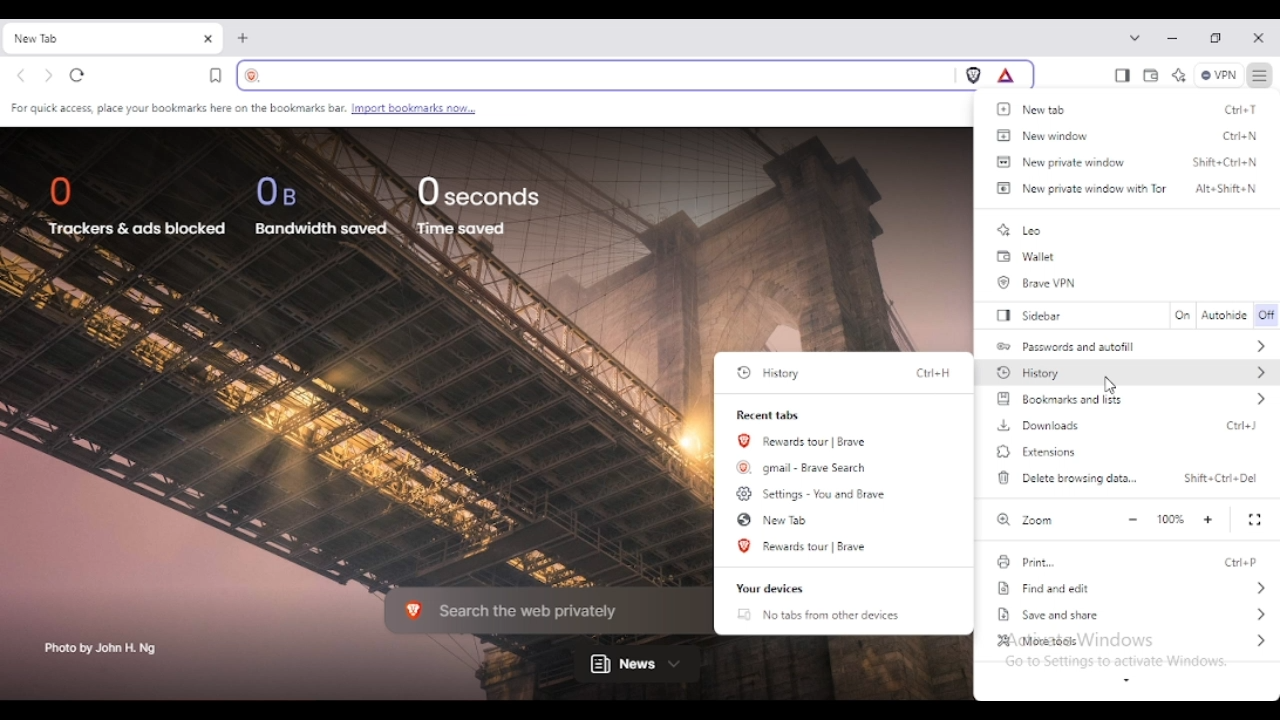 This screenshot has height=720, width=1280. Describe the element at coordinates (933, 373) in the screenshot. I see `shortcut for history` at that location.